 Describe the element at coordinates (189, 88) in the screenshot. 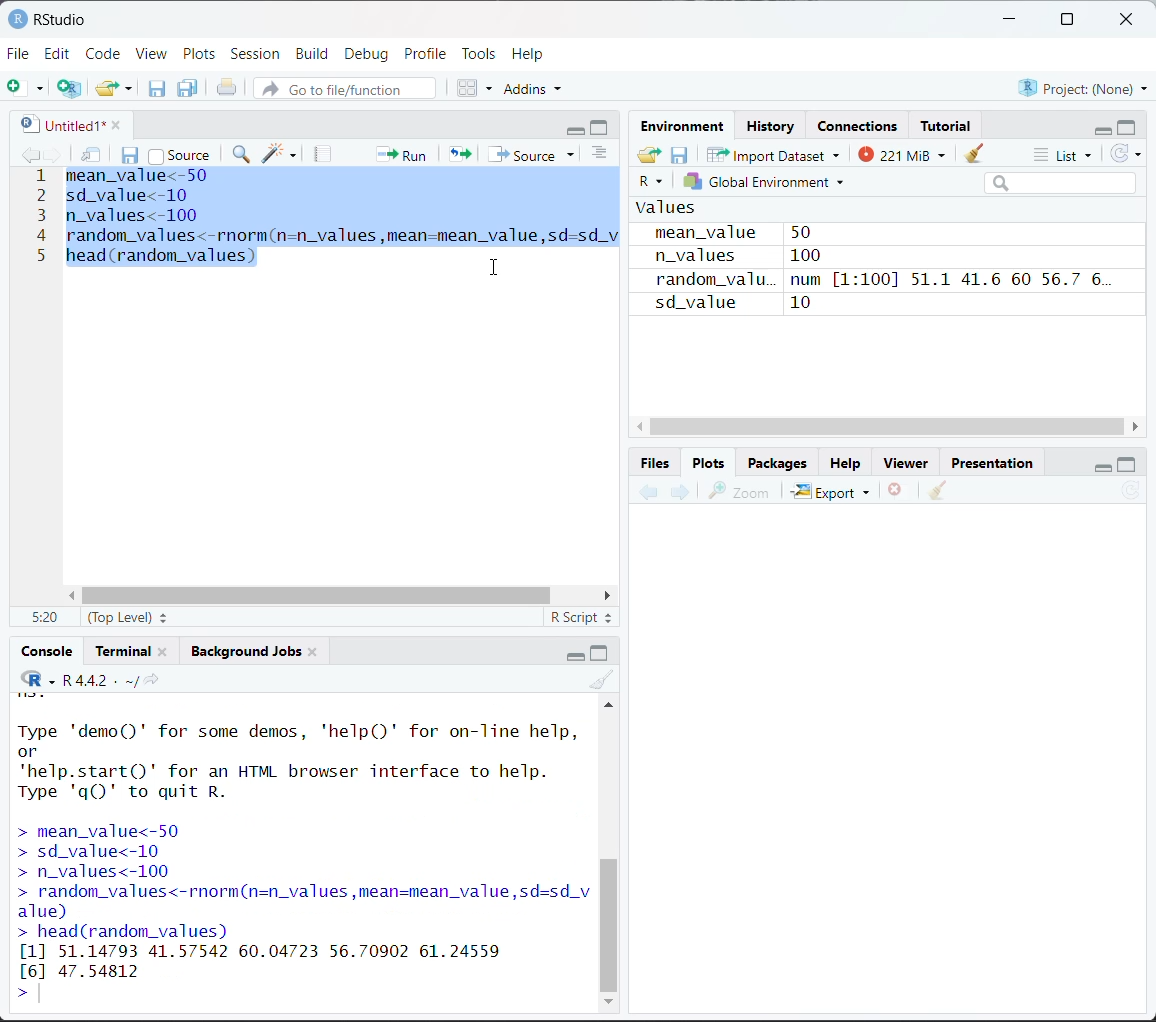

I see `save all open documents` at that location.